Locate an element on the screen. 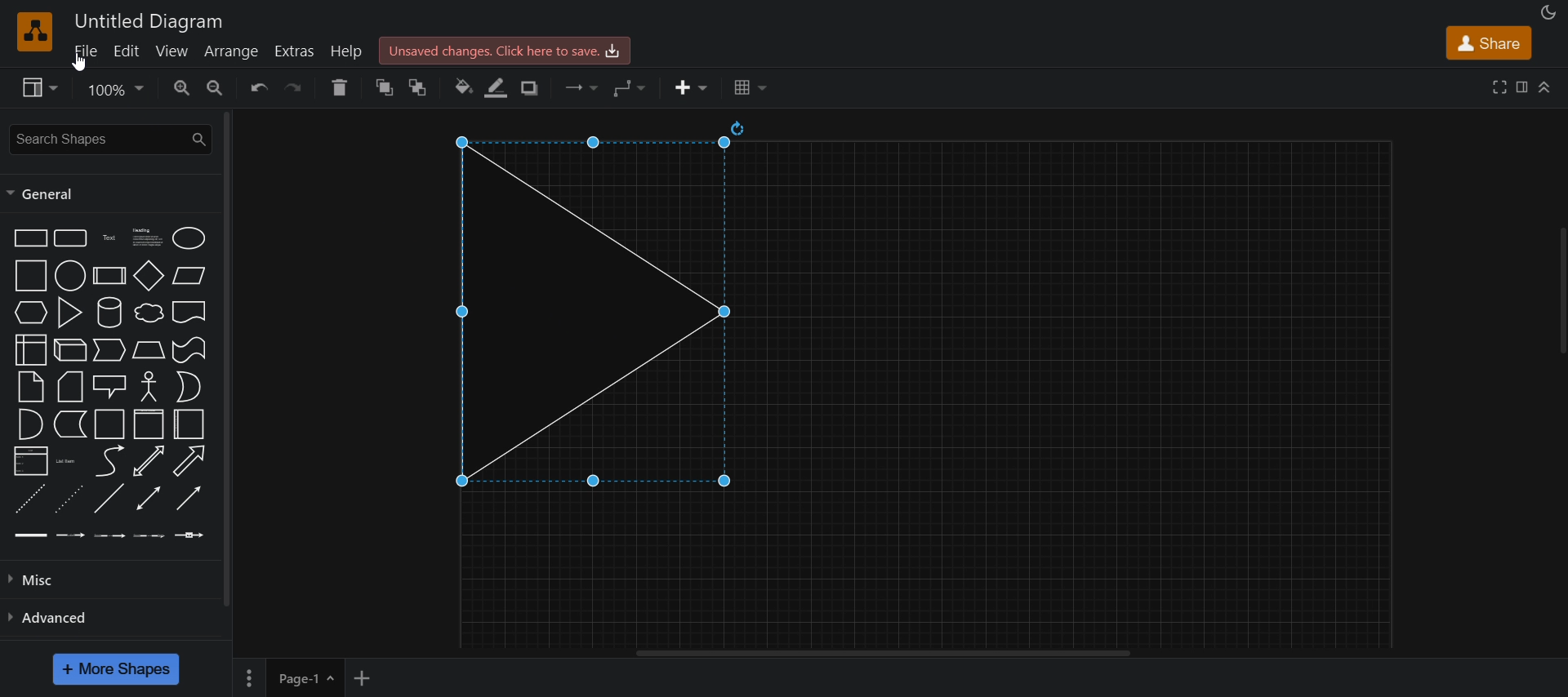  delete is located at coordinates (336, 85).